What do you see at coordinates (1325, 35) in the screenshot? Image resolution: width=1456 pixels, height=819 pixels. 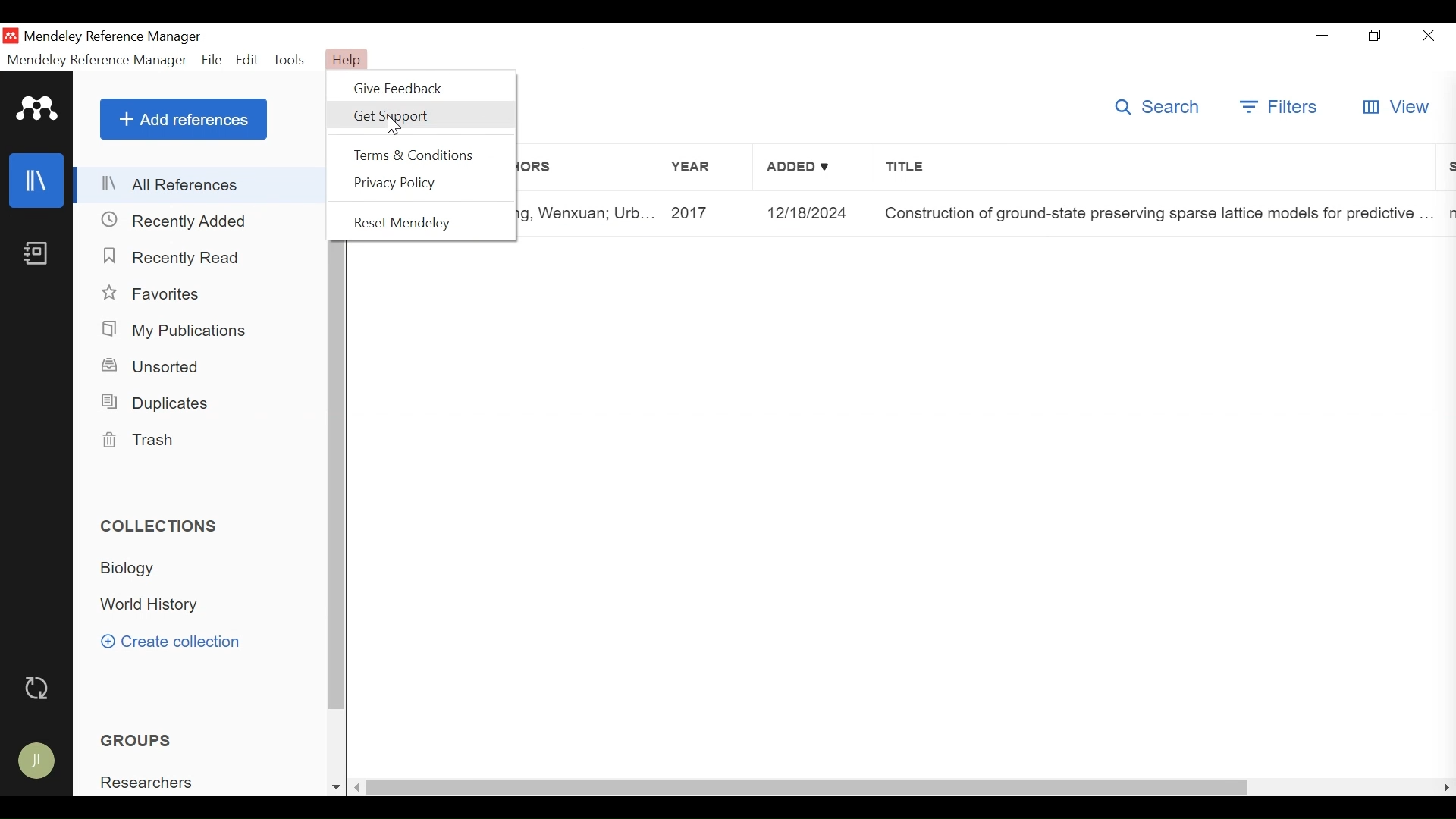 I see `minimize` at bounding box center [1325, 35].